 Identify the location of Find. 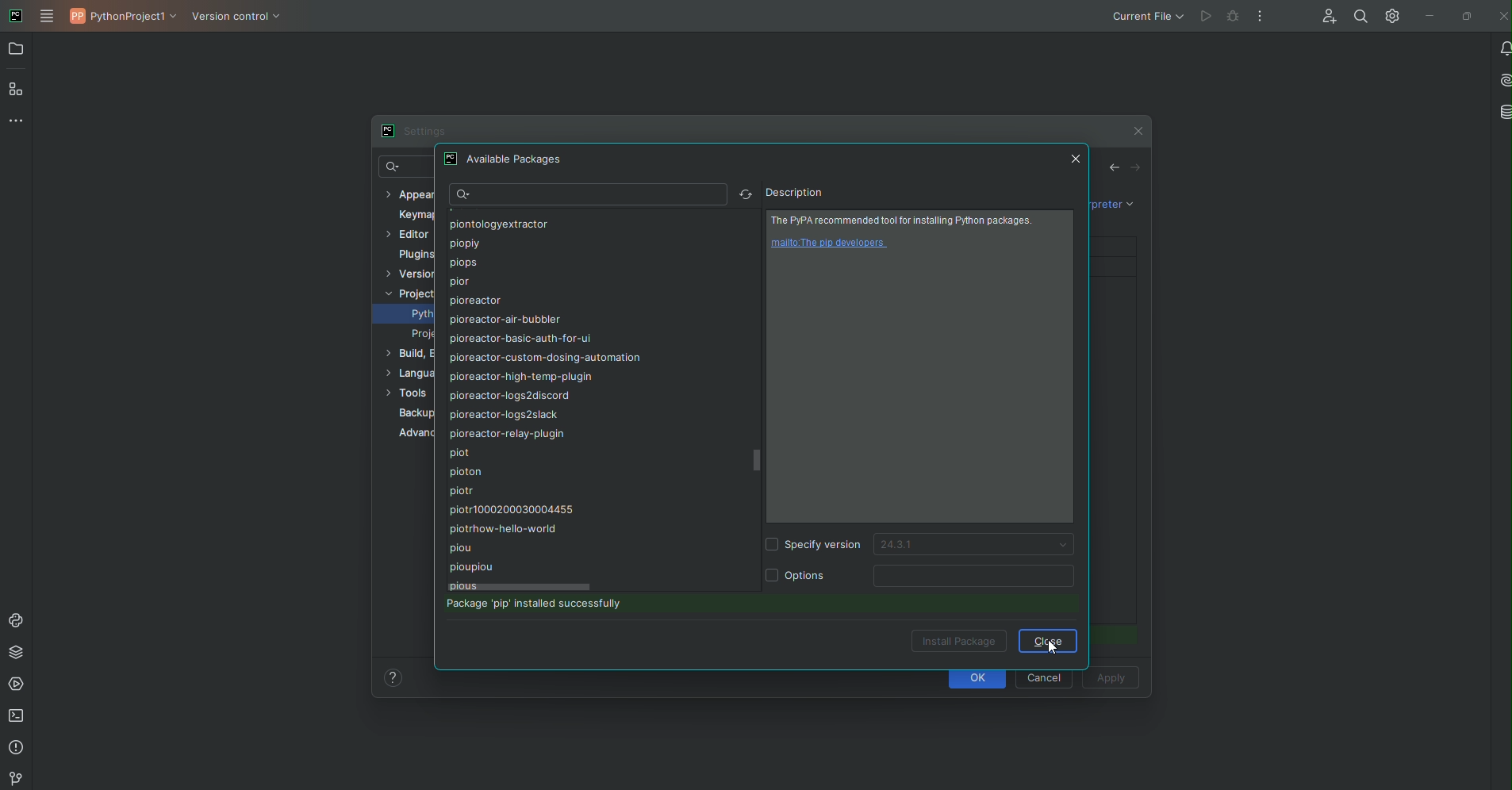
(1357, 15).